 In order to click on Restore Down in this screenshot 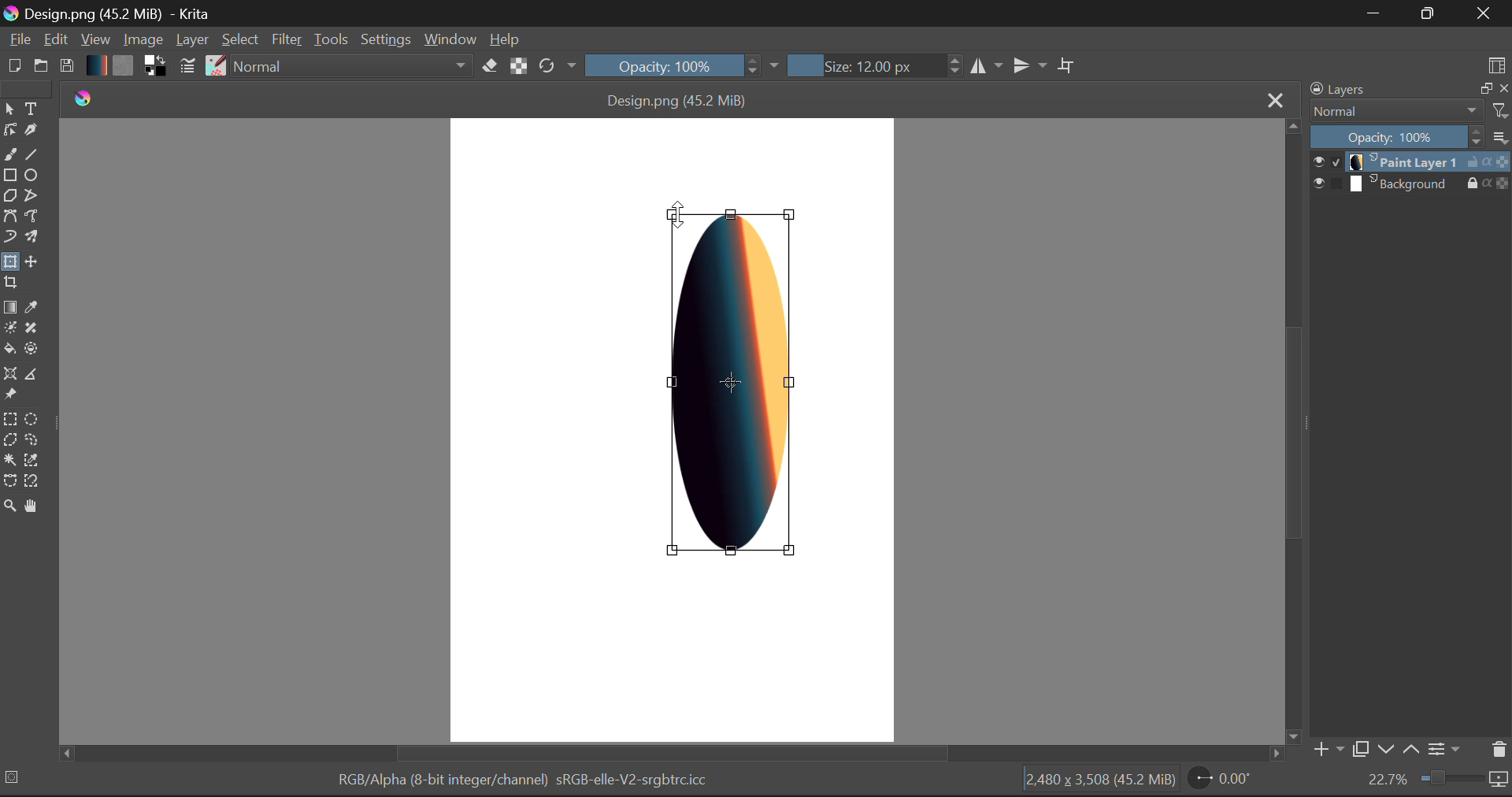, I will do `click(1371, 13)`.